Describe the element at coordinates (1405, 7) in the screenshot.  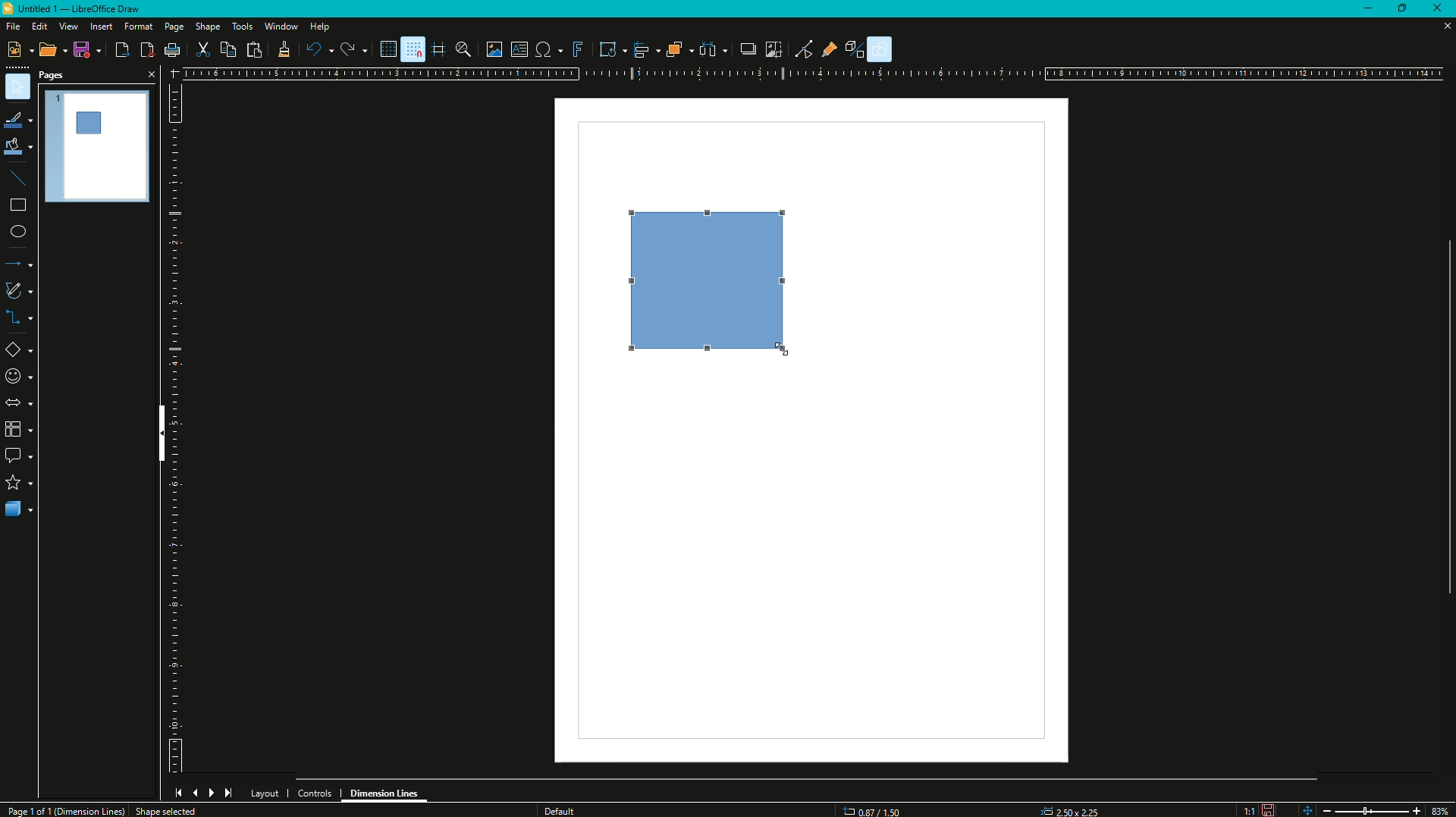
I see `Restore` at that location.